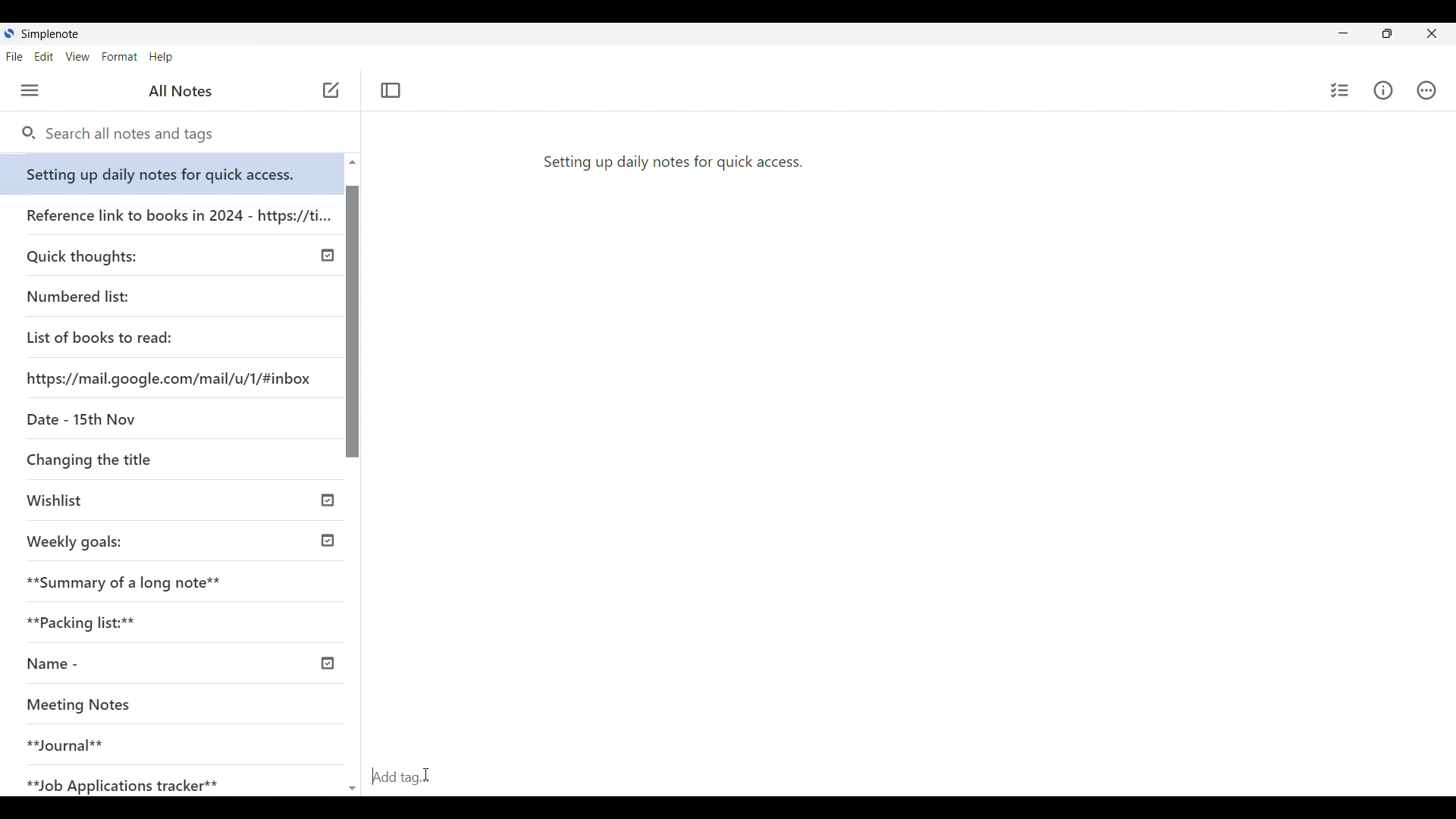 Image resolution: width=1456 pixels, height=819 pixels. I want to click on Close interface, so click(1434, 32).